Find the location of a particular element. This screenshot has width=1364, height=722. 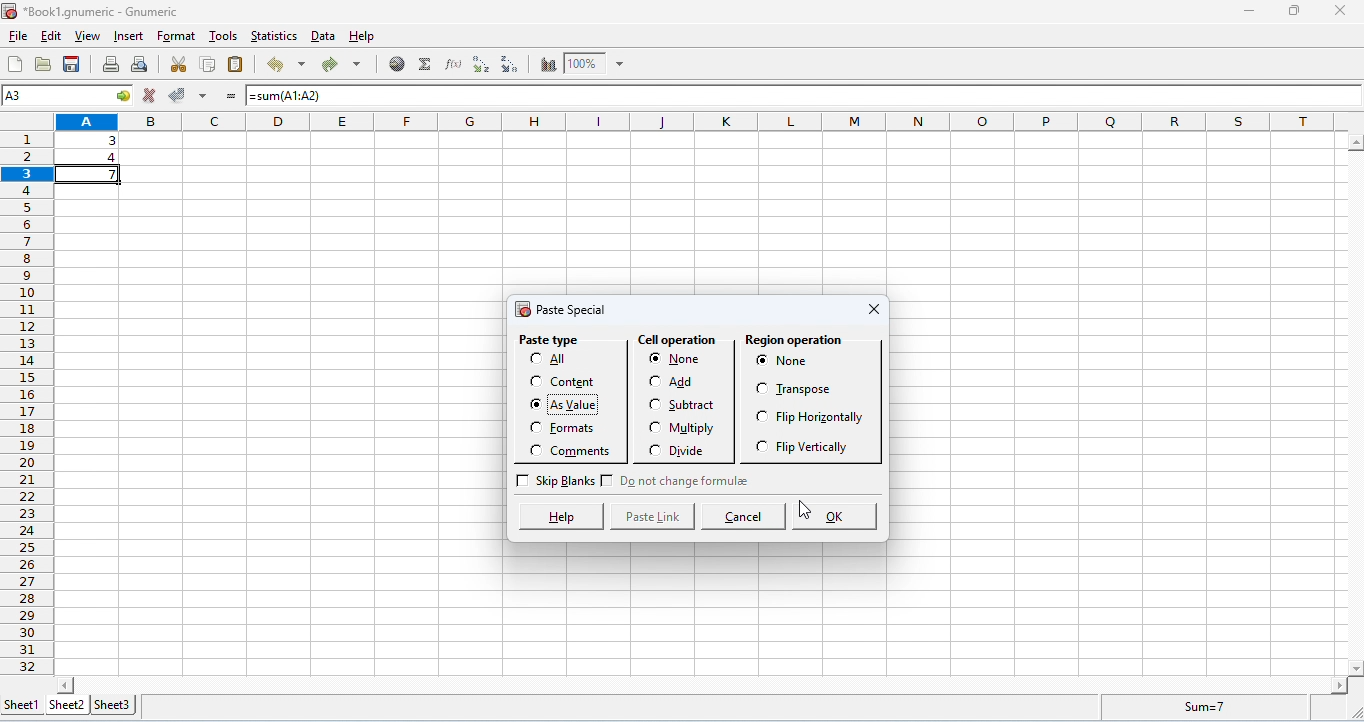

select function is located at coordinates (425, 65).